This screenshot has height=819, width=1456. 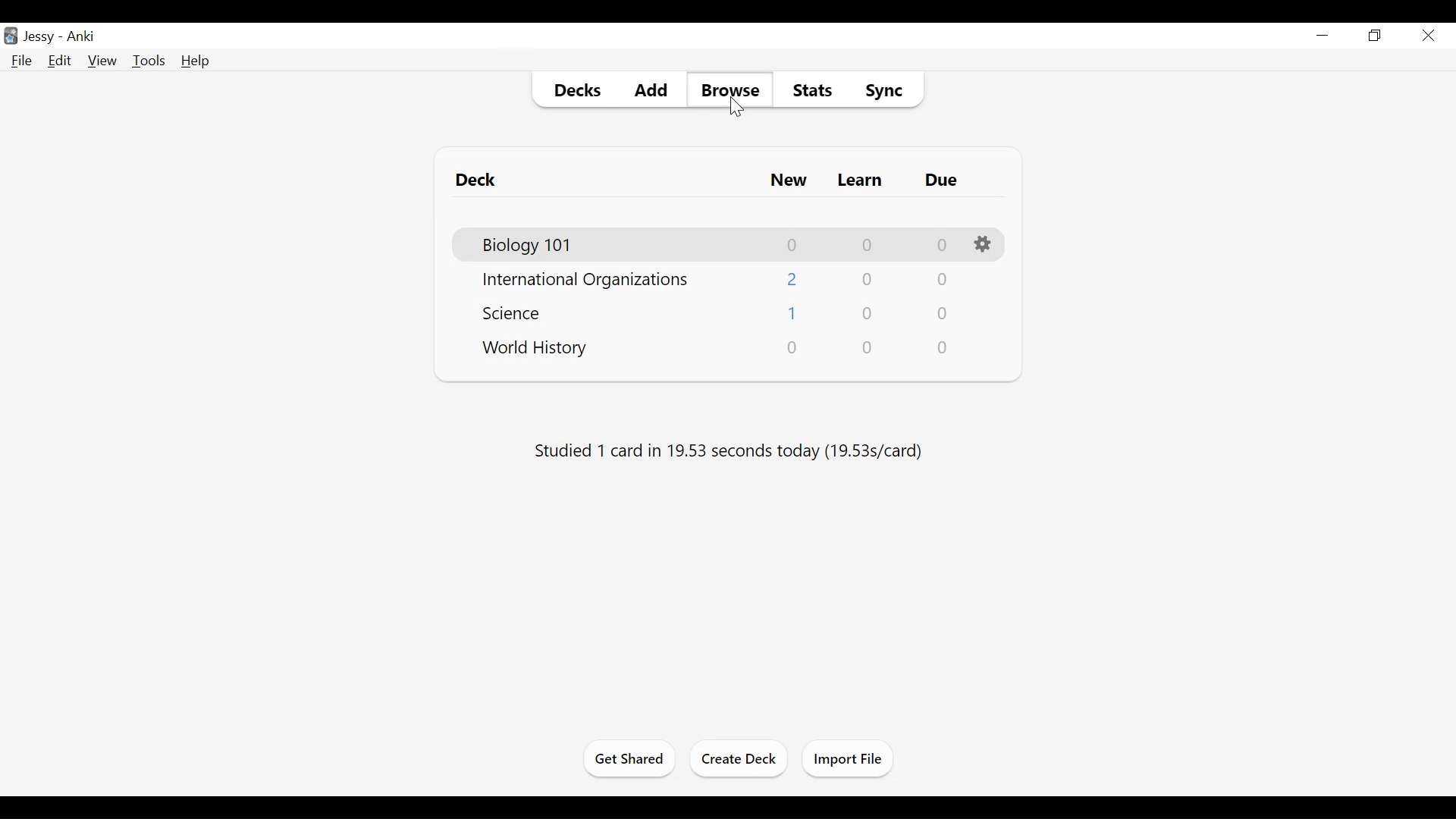 I want to click on Deck Name, so click(x=588, y=281).